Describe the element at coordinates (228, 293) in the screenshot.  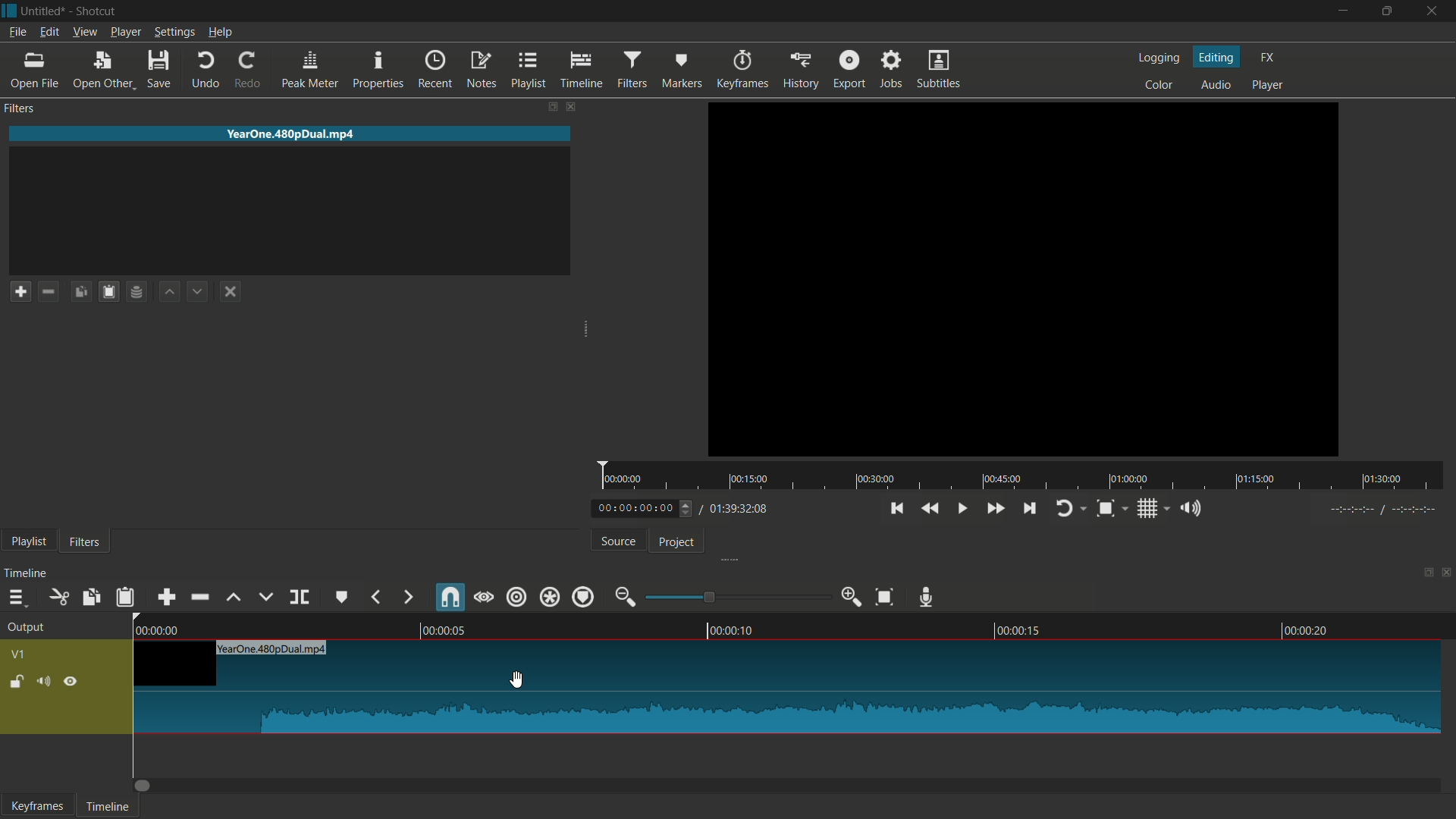
I see `deselect the filter` at that location.